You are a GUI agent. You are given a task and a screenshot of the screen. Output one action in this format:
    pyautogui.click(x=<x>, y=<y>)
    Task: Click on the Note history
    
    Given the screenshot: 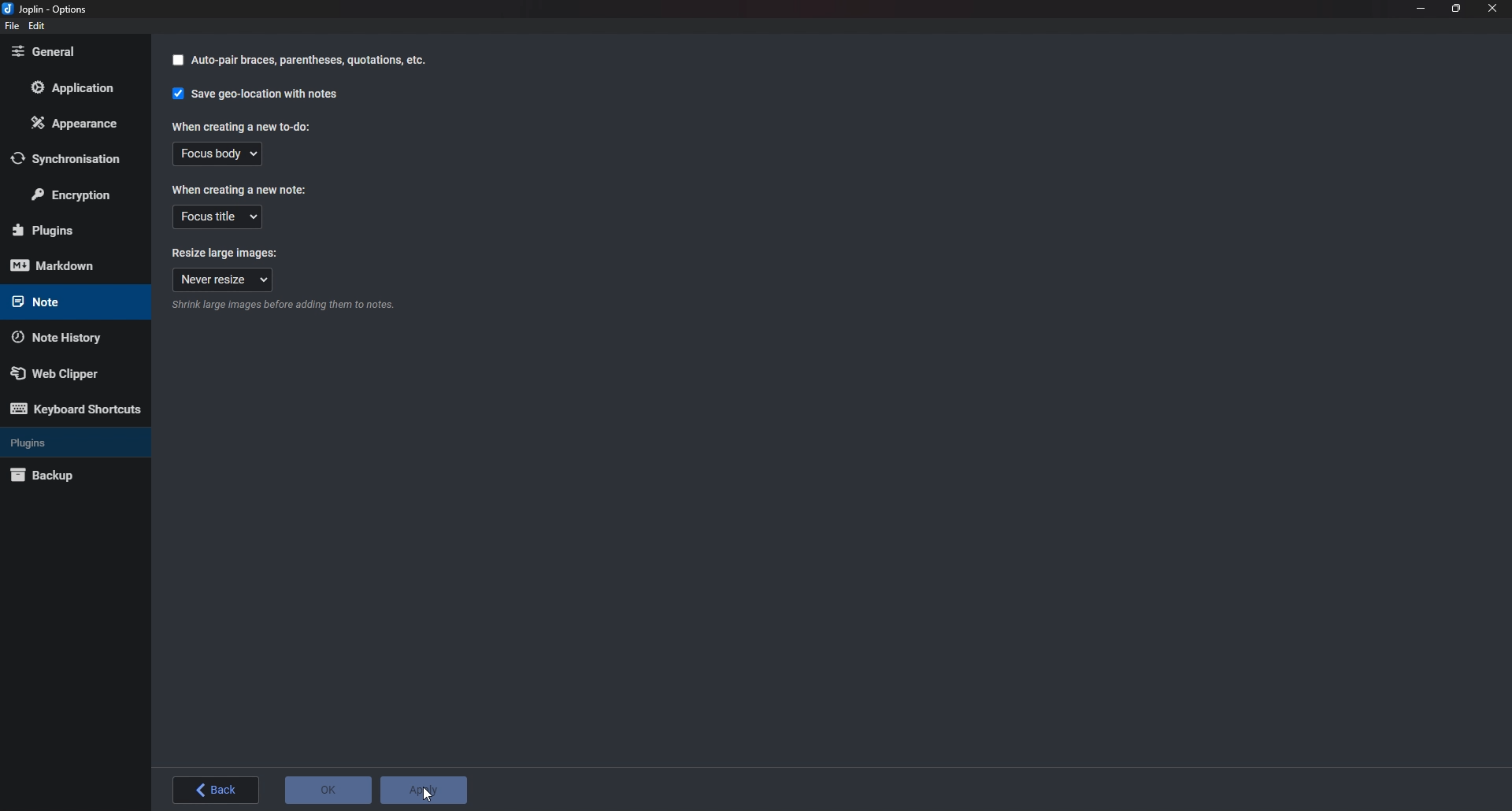 What is the action you would take?
    pyautogui.click(x=66, y=339)
    